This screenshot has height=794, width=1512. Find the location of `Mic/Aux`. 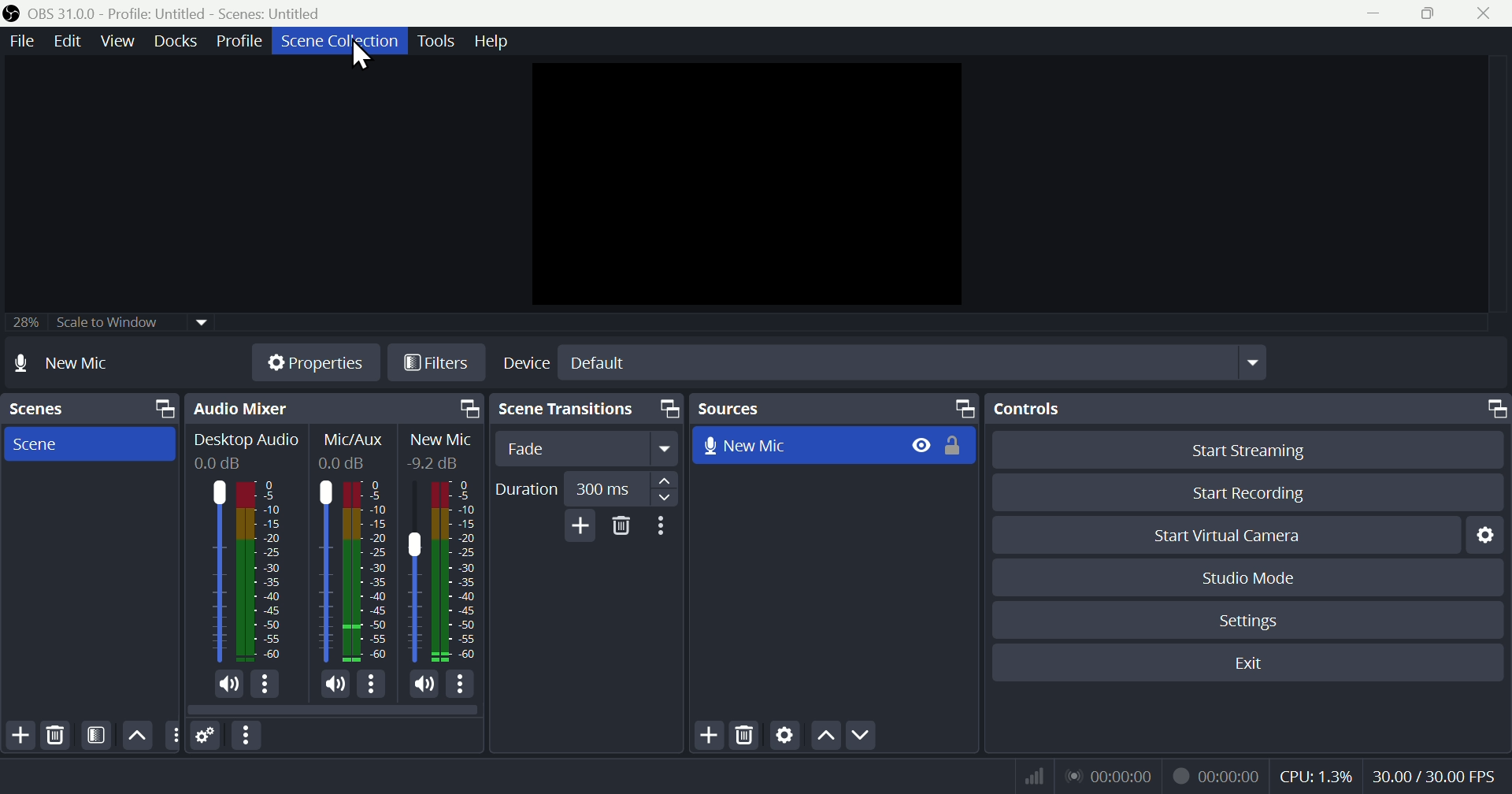

Mic/Aux is located at coordinates (356, 440).